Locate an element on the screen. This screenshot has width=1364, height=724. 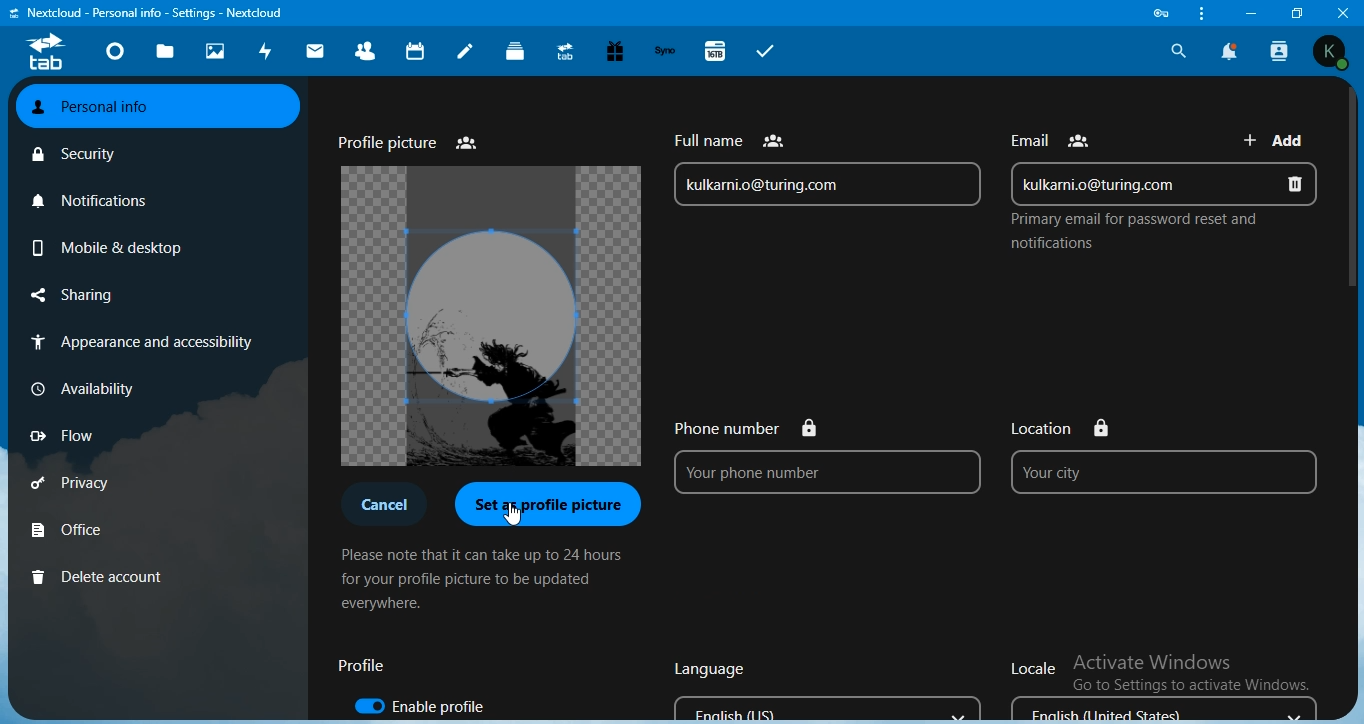
Profile picture is located at coordinates (407, 140).